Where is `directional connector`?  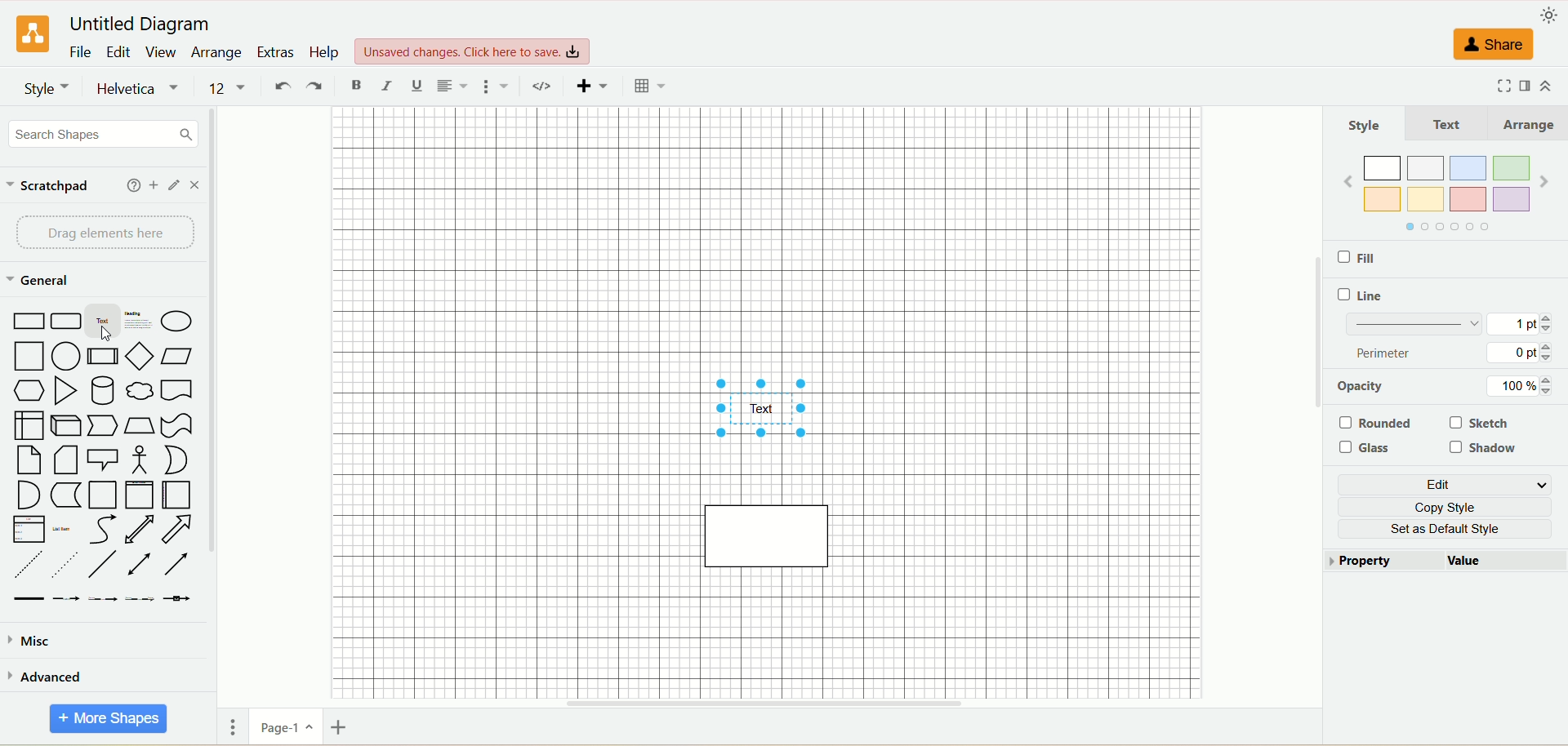
directional connector is located at coordinates (178, 566).